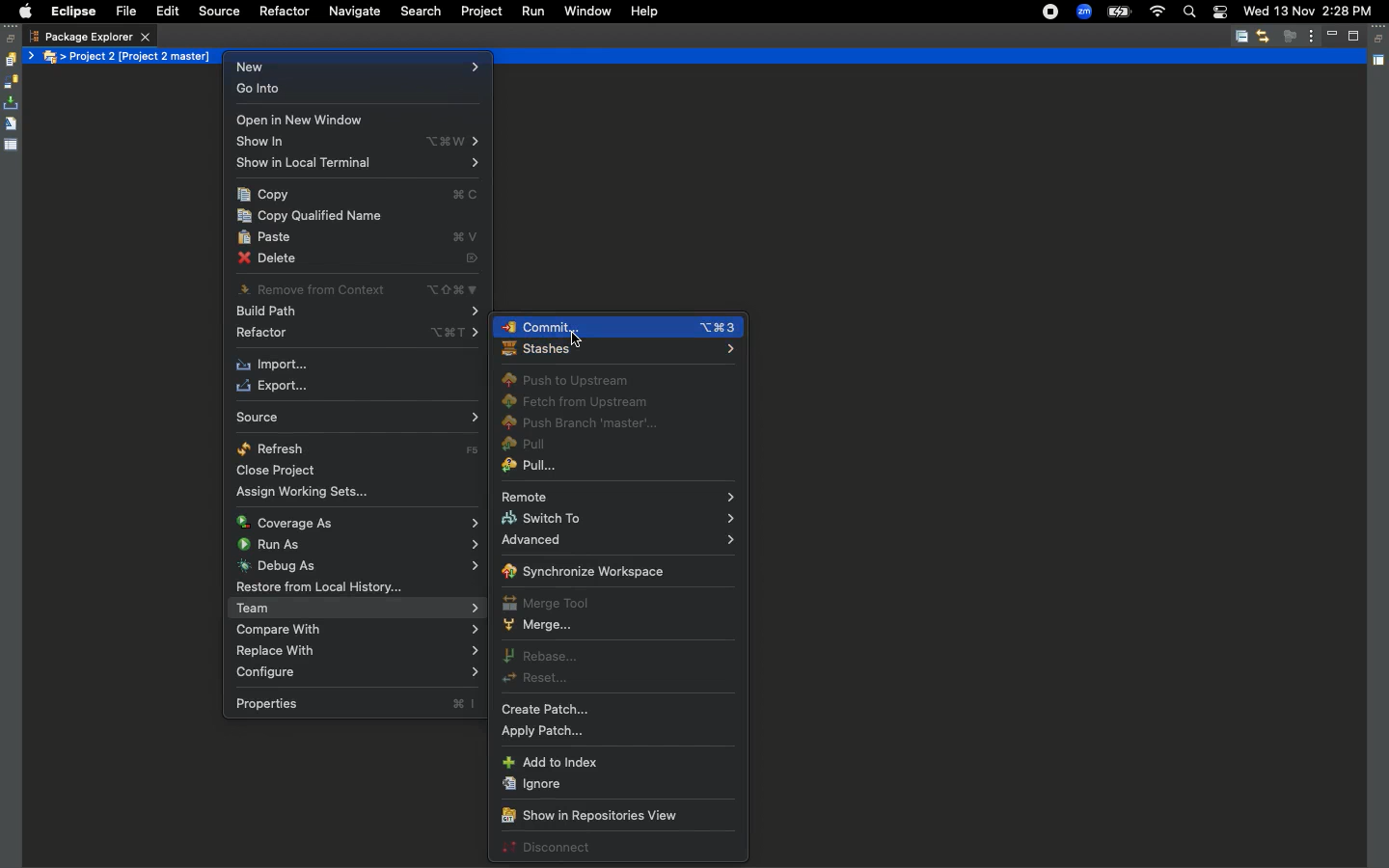  Describe the element at coordinates (365, 312) in the screenshot. I see `Build path` at that location.